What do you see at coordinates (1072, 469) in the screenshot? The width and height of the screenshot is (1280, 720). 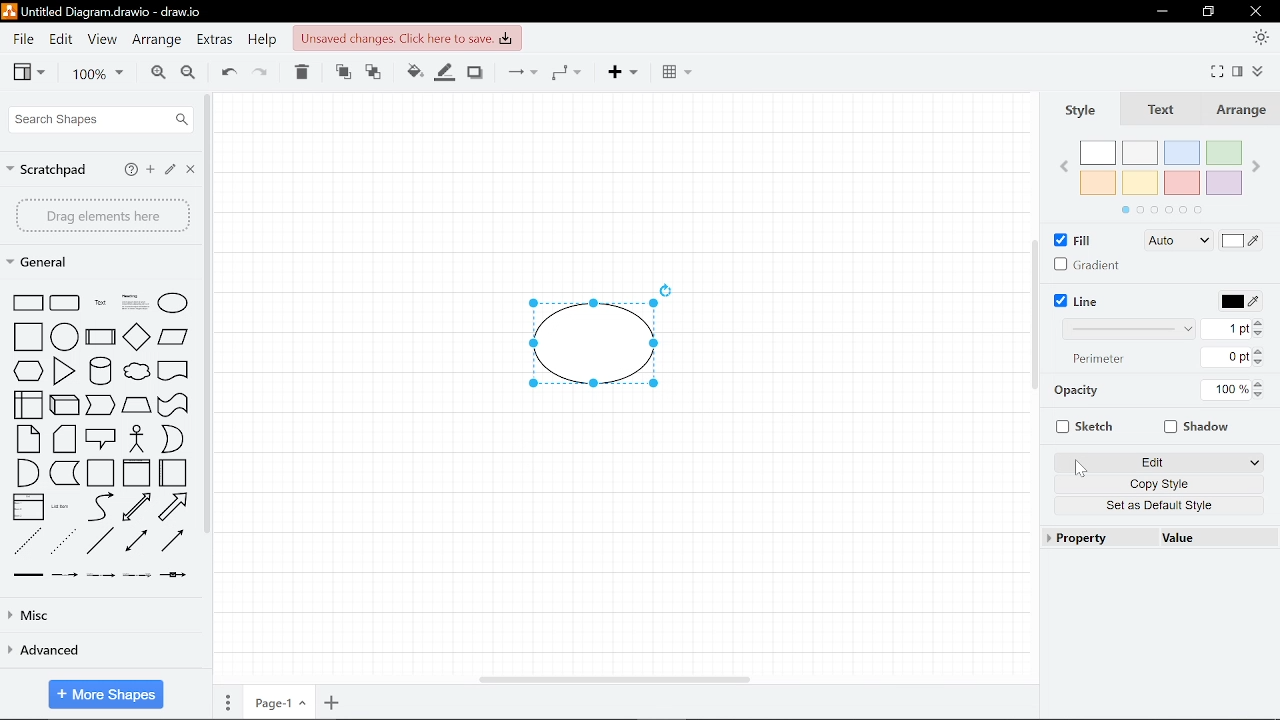 I see `Cursor` at bounding box center [1072, 469].